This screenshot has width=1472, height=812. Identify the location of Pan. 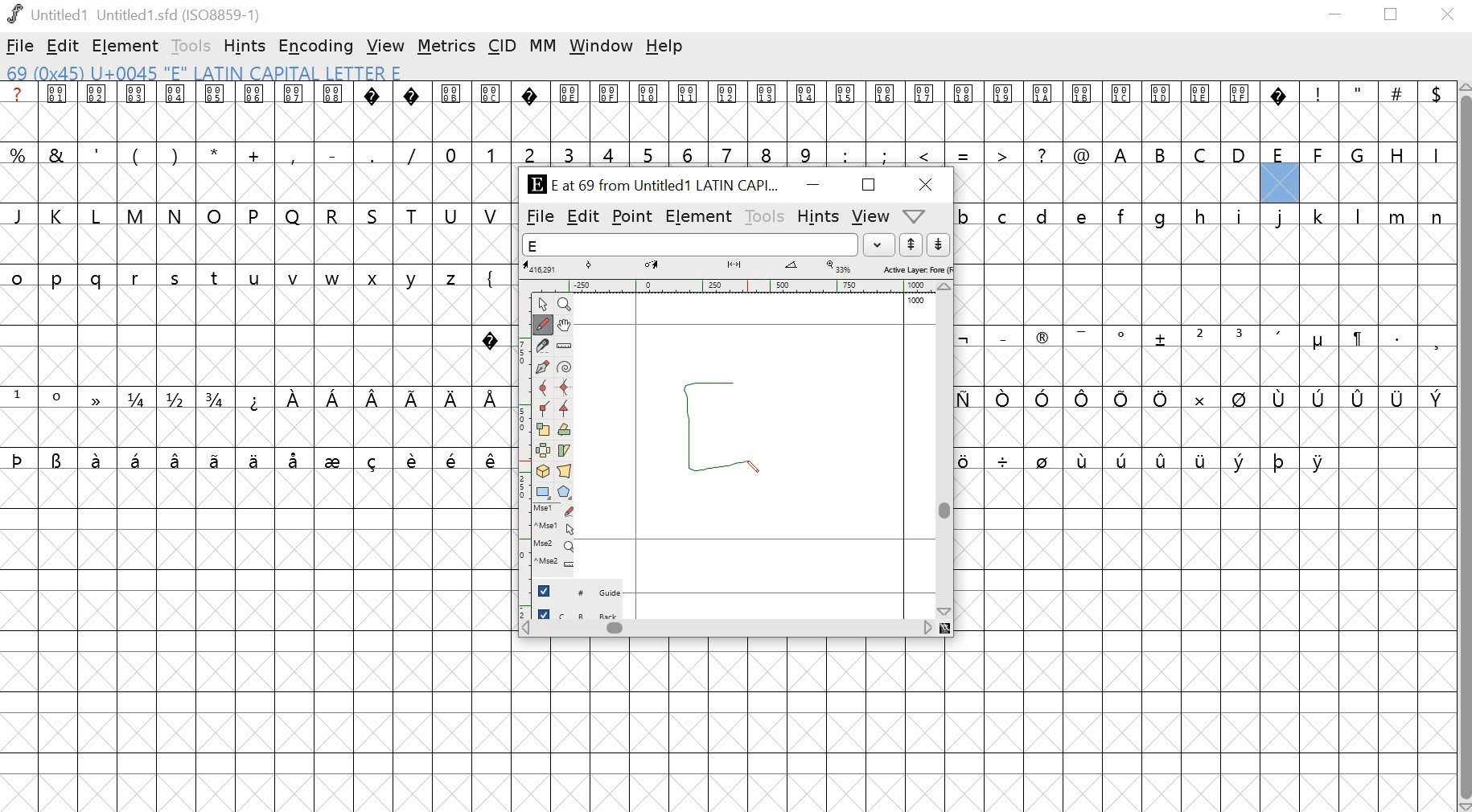
(567, 325).